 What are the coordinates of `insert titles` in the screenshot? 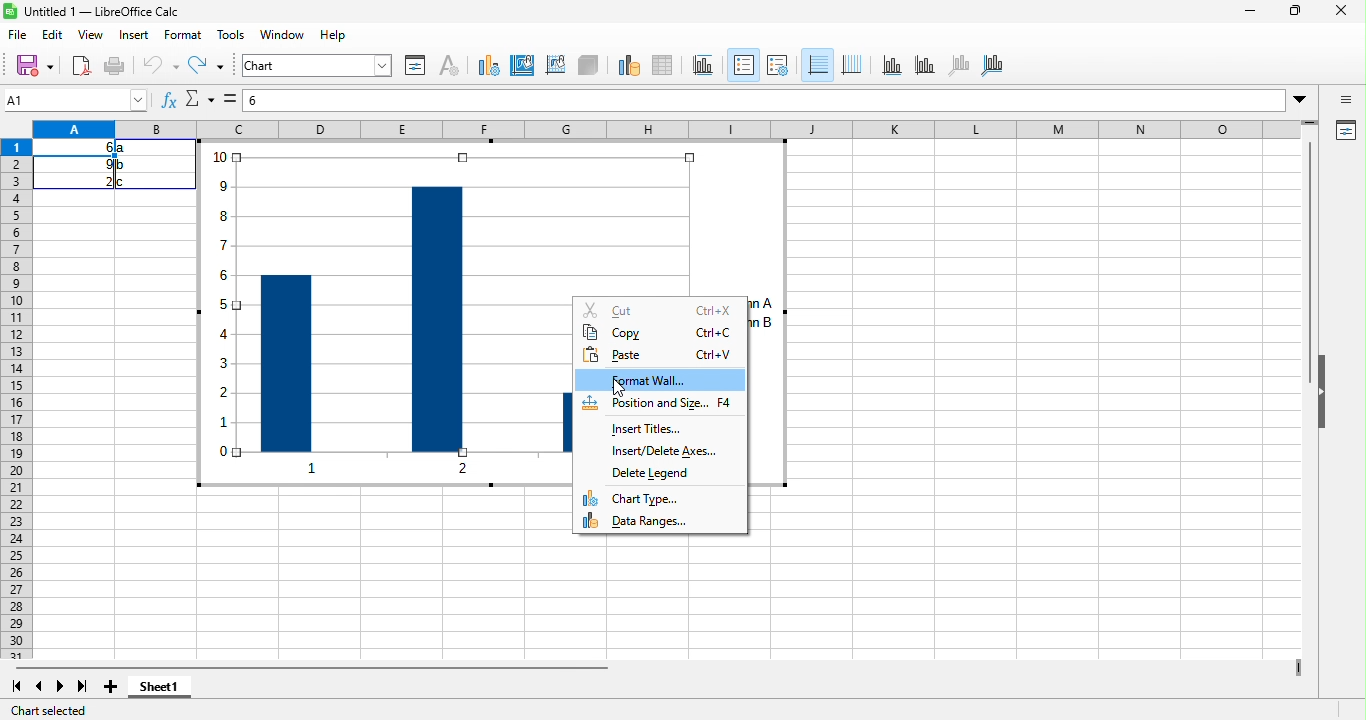 It's located at (648, 431).